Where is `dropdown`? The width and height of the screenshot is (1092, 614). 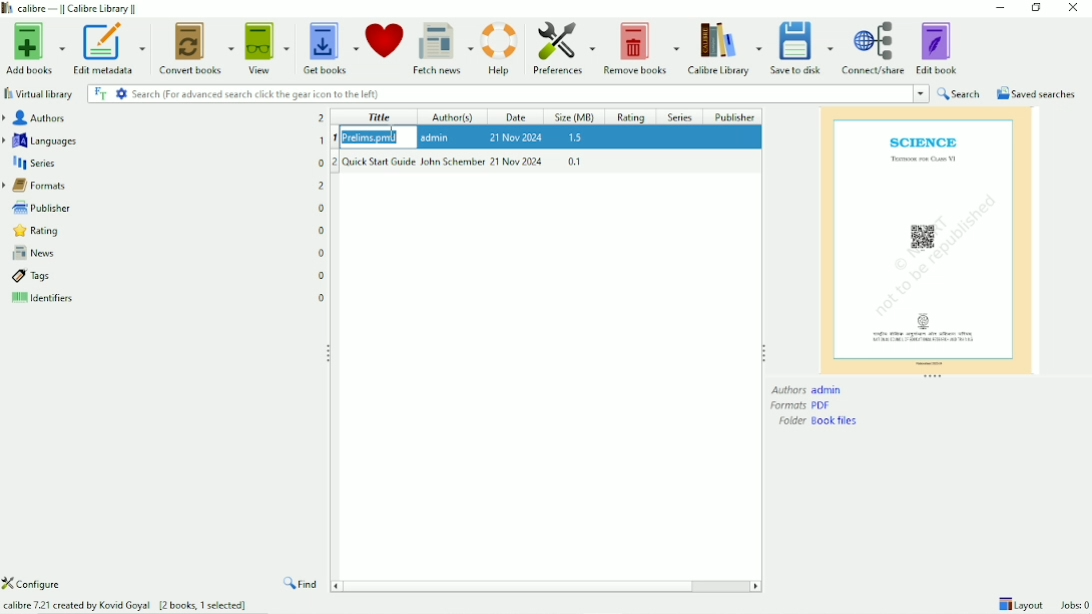
dropdown is located at coordinates (922, 93).